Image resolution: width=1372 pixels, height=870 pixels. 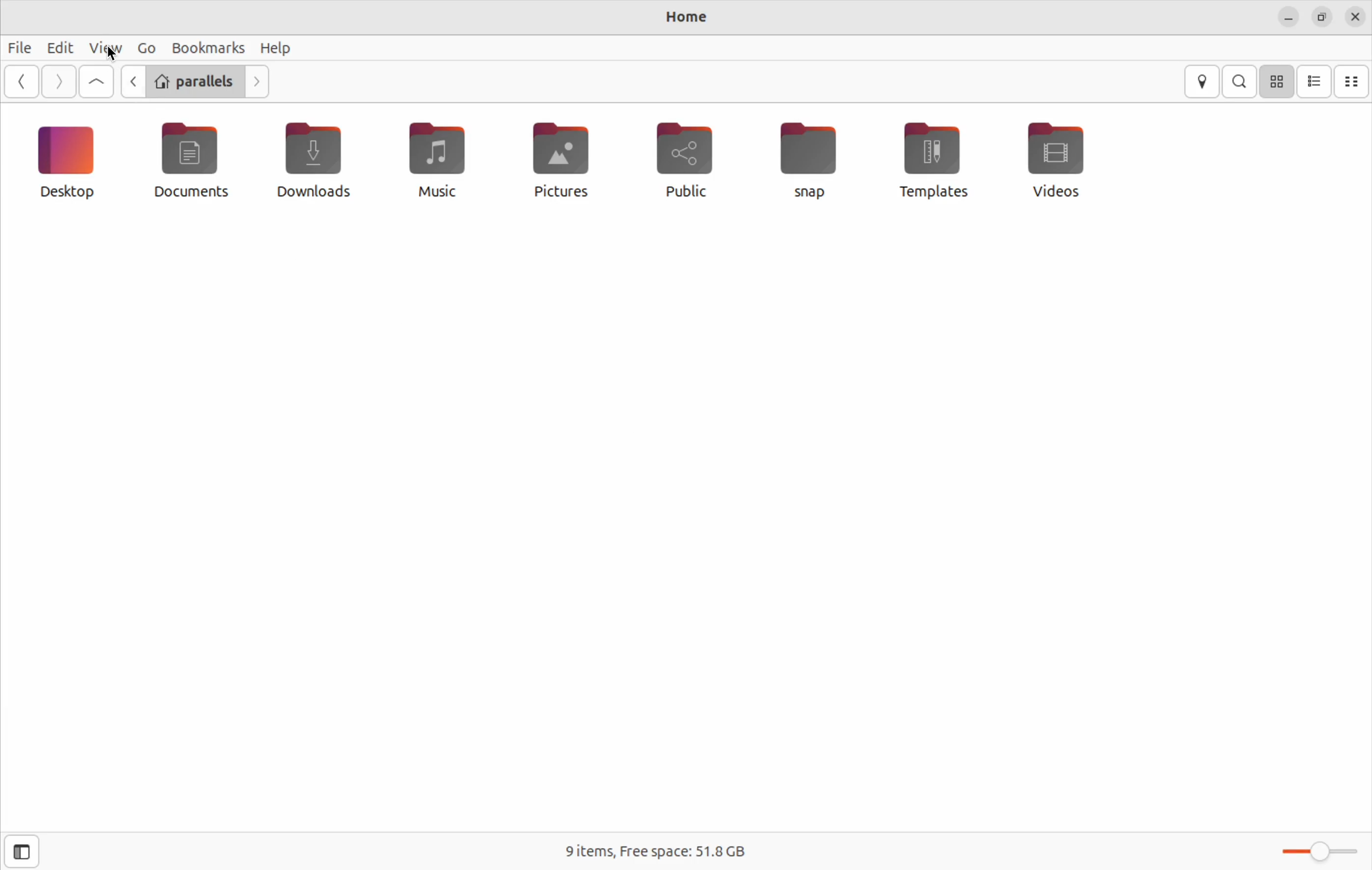 I want to click on Curosr, so click(x=113, y=54).